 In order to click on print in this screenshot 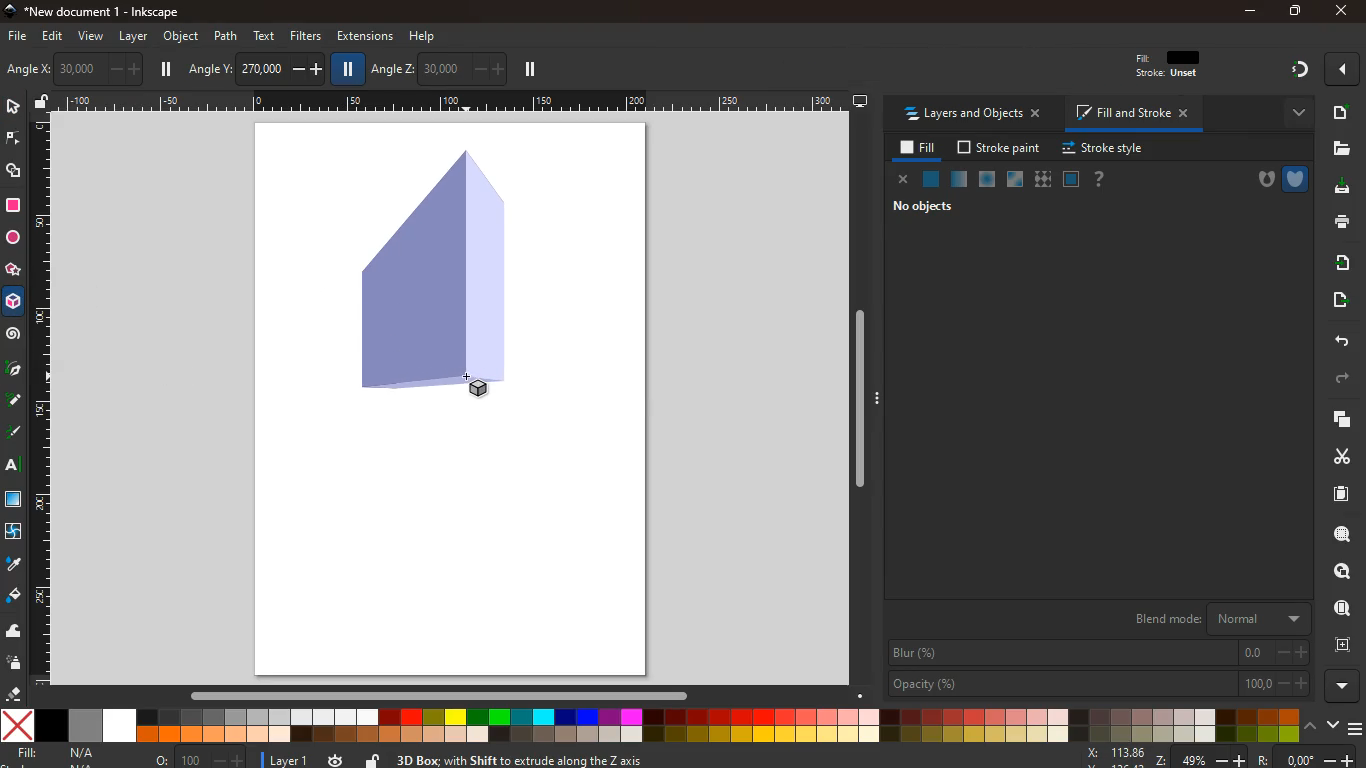, I will do `click(1339, 223)`.